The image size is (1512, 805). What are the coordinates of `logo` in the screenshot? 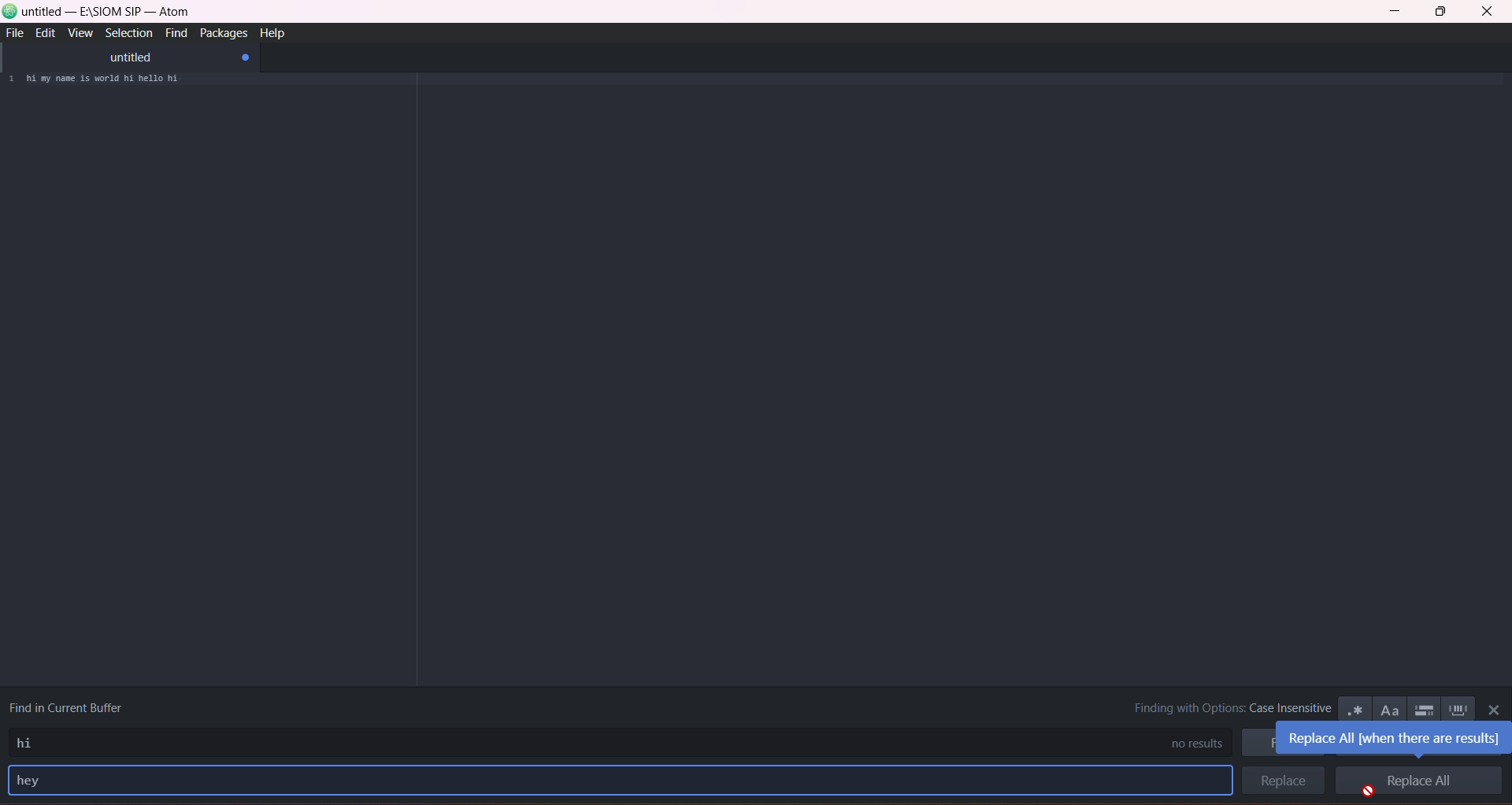 It's located at (10, 13).